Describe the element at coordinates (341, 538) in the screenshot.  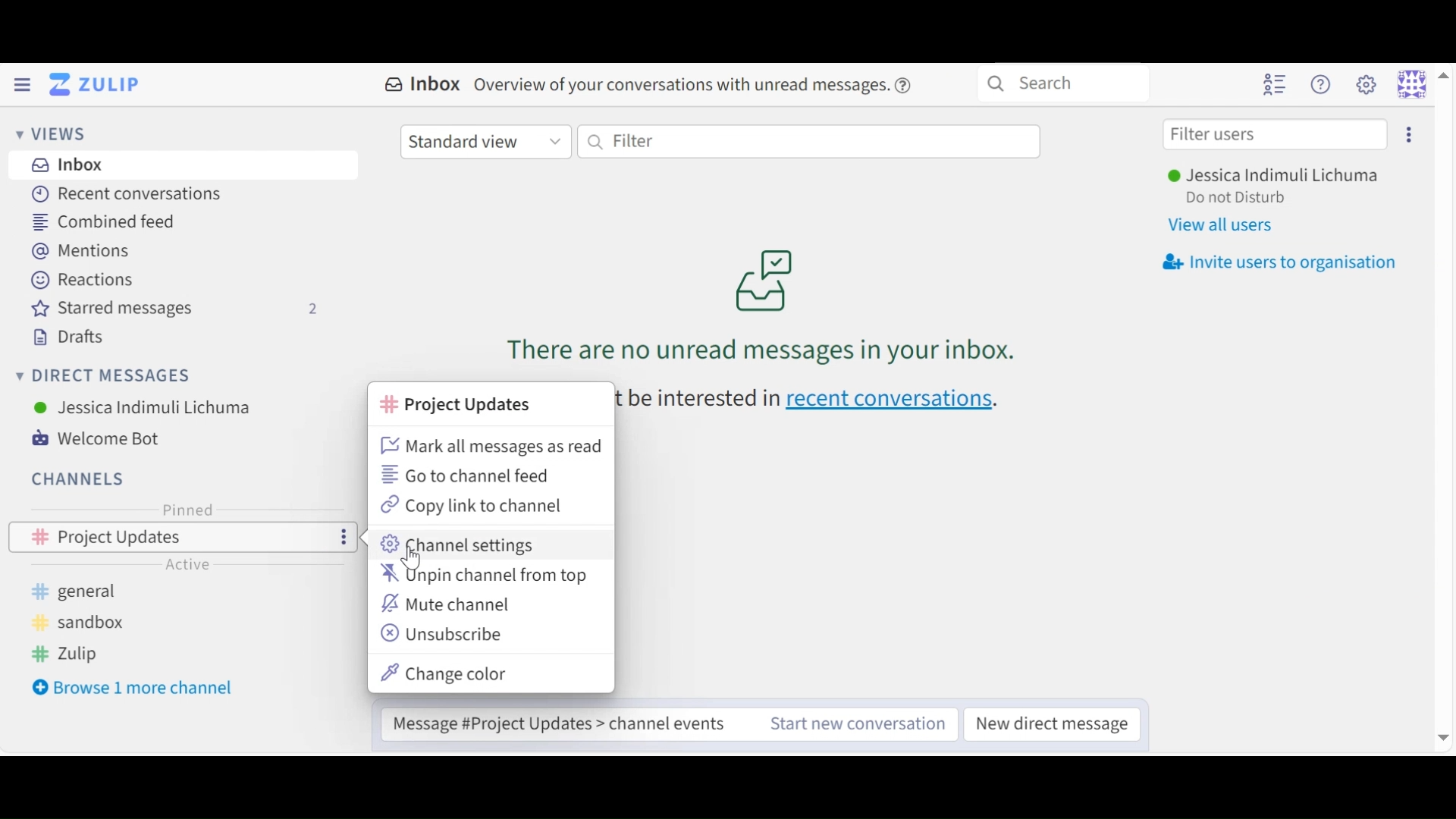
I see `Options` at that location.